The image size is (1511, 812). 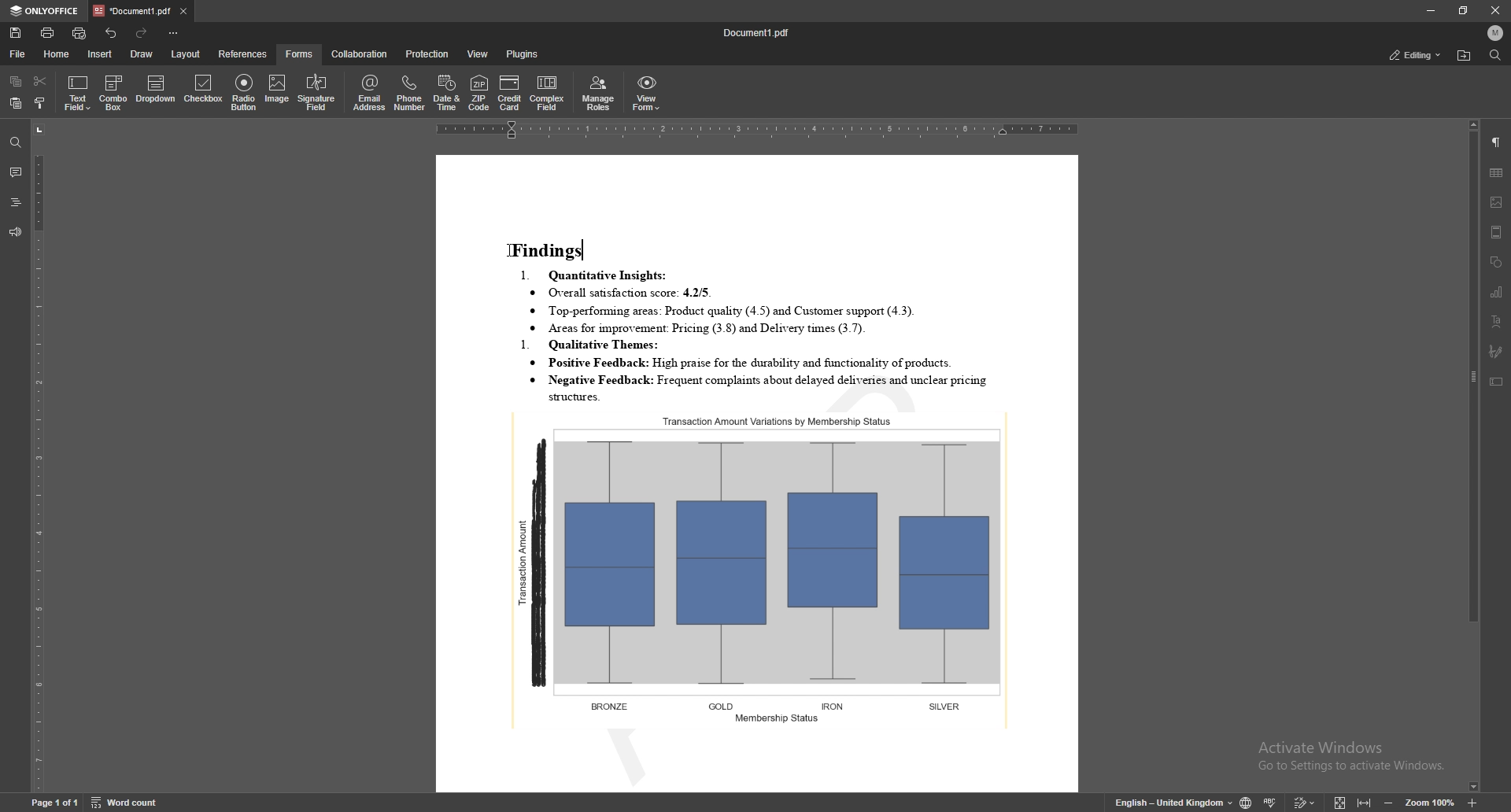 I want to click on header and footer, so click(x=1496, y=232).